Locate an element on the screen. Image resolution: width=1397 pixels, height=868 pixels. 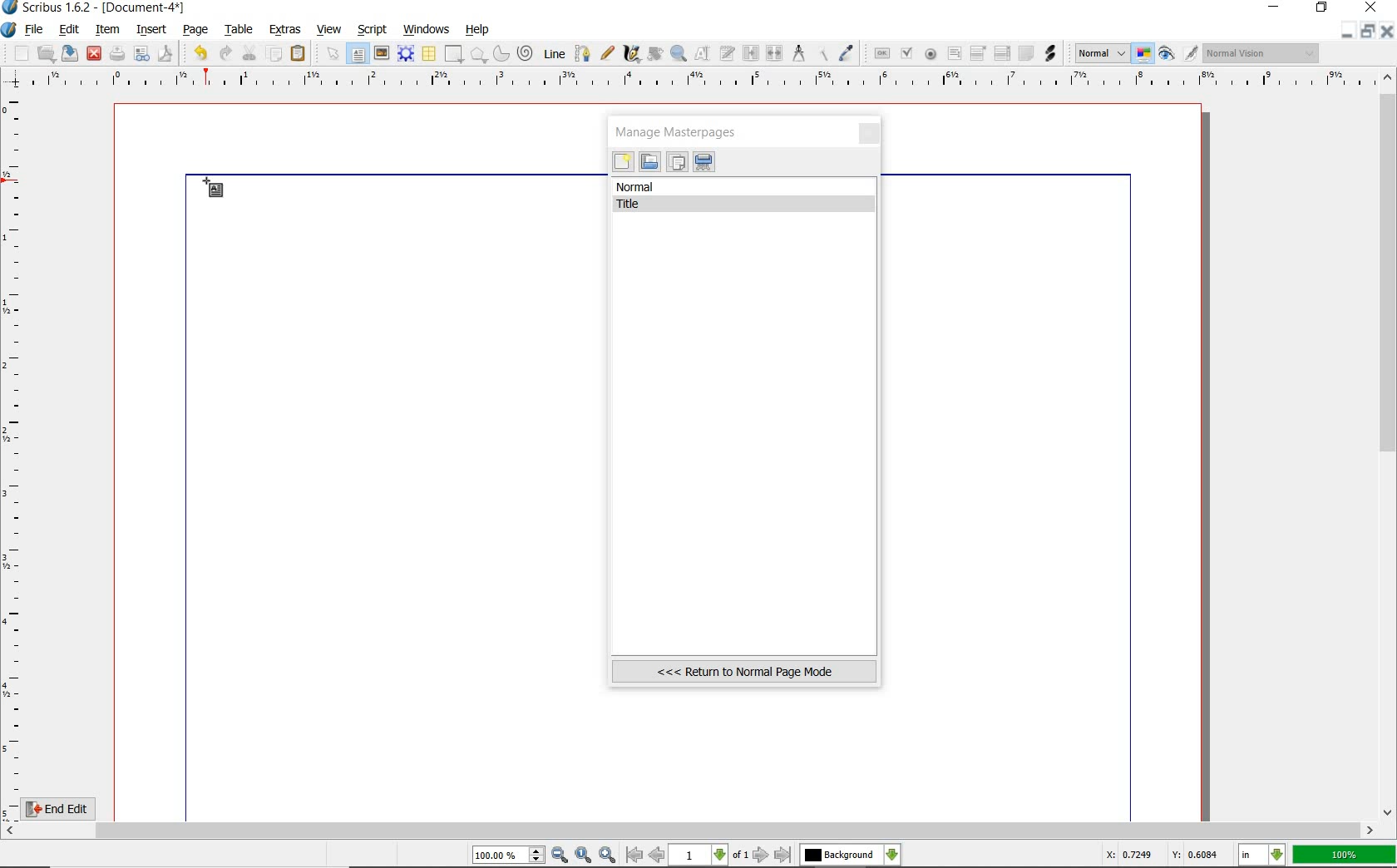
cut is located at coordinates (249, 52).